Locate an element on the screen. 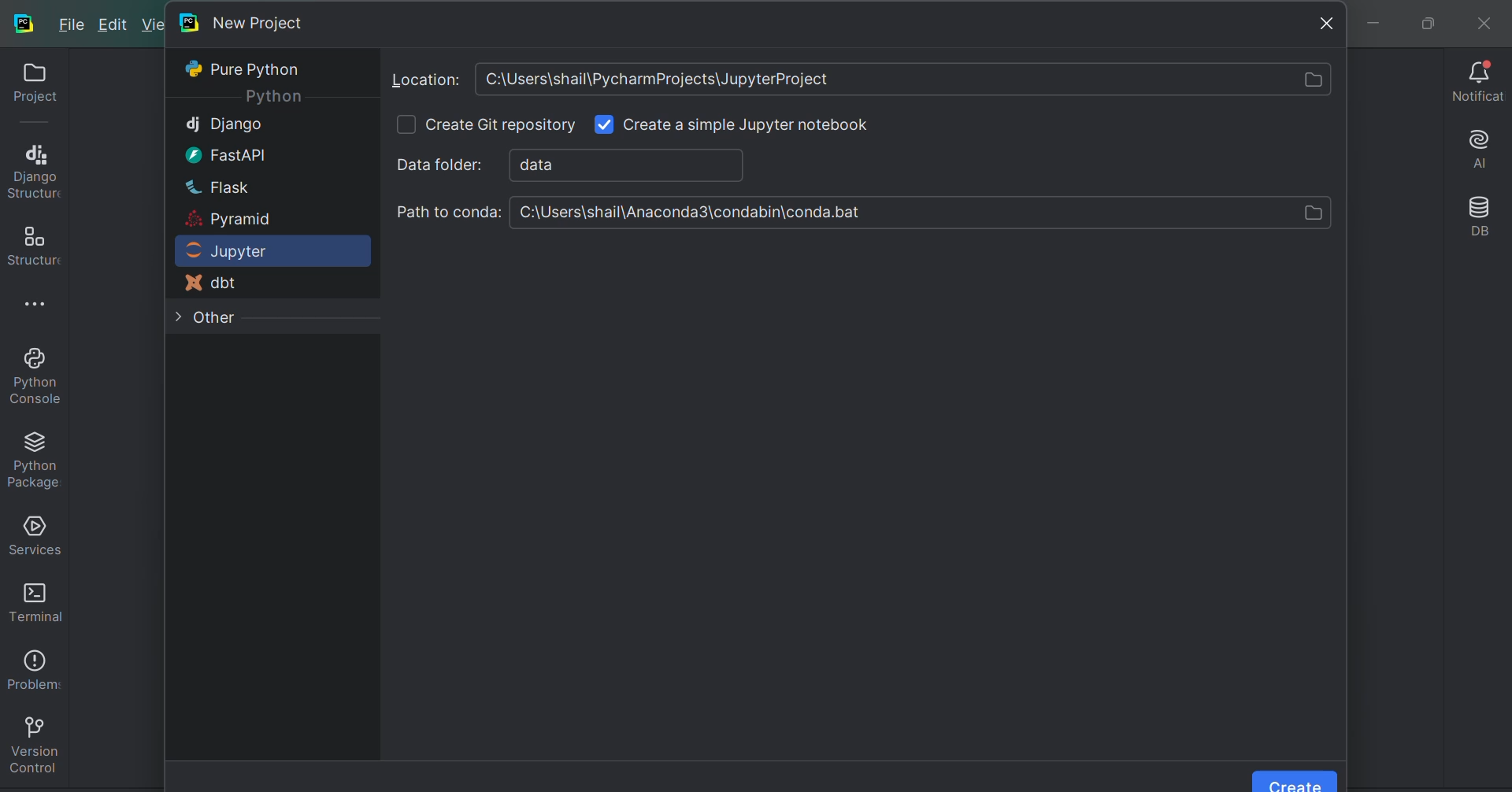  Pyramid is located at coordinates (230, 220).